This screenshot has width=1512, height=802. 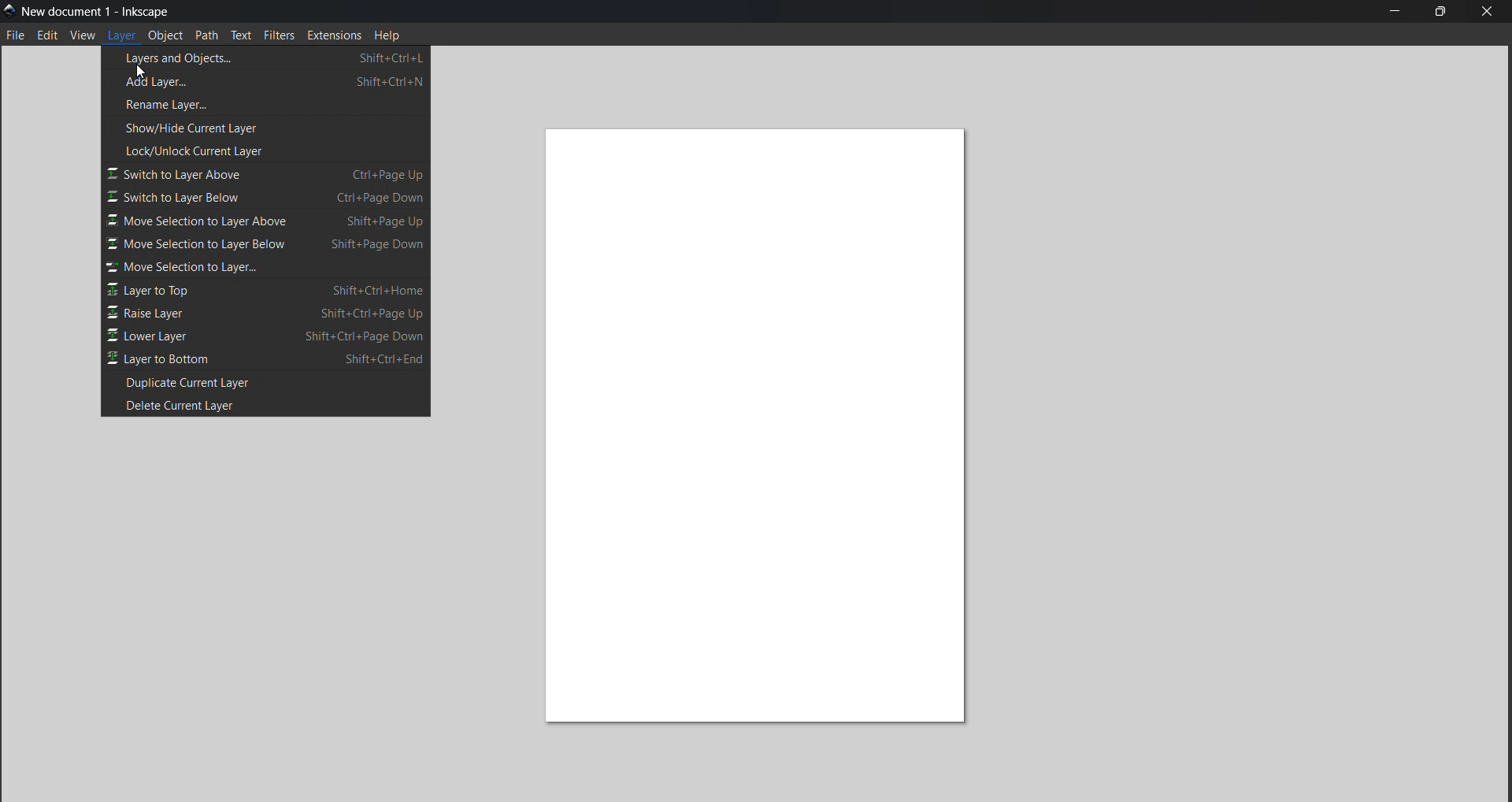 What do you see at coordinates (269, 246) in the screenshot?
I see `move selection to layer below` at bounding box center [269, 246].